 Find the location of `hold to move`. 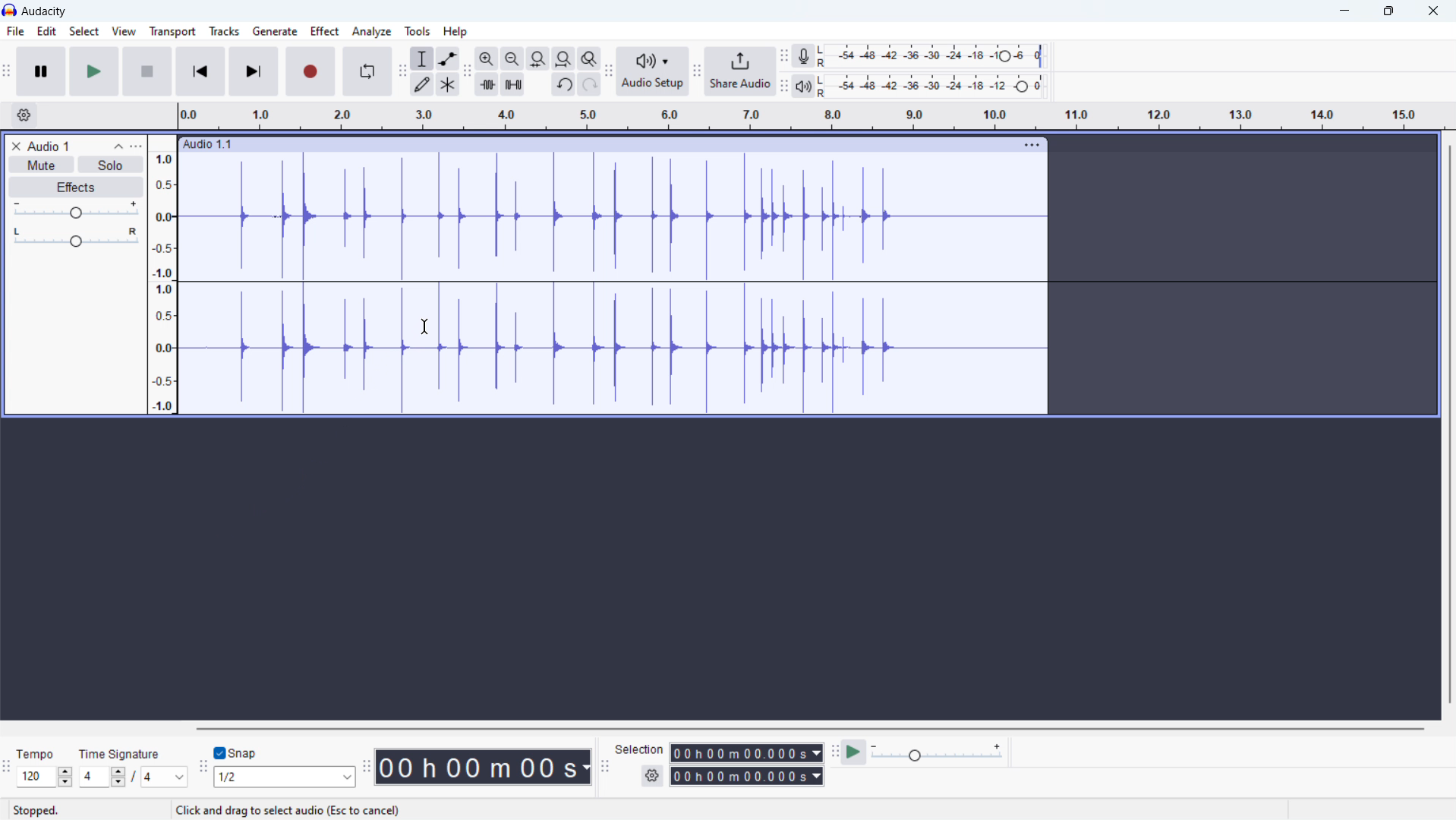

hold to move is located at coordinates (597, 145).